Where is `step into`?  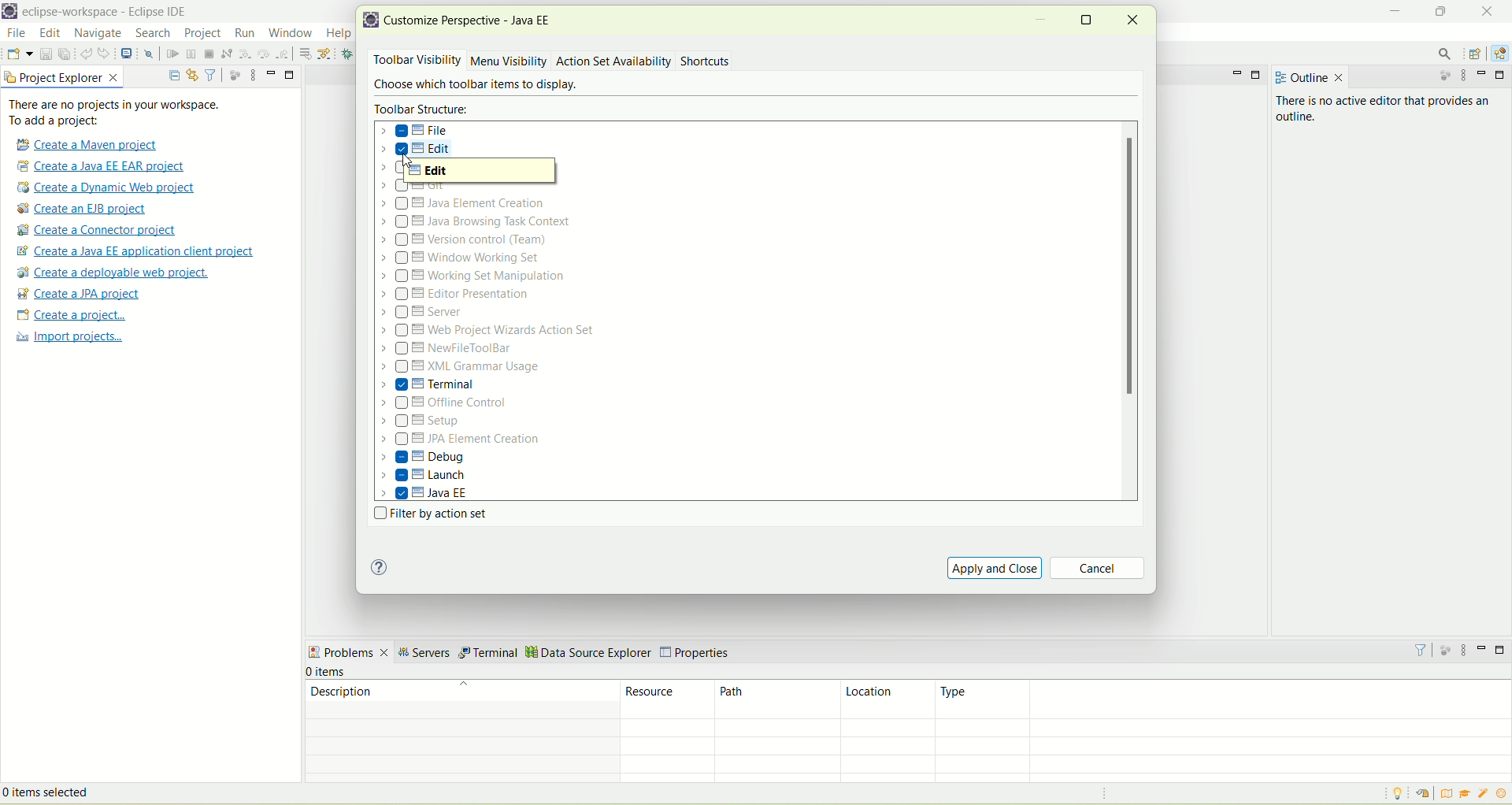
step into is located at coordinates (246, 56).